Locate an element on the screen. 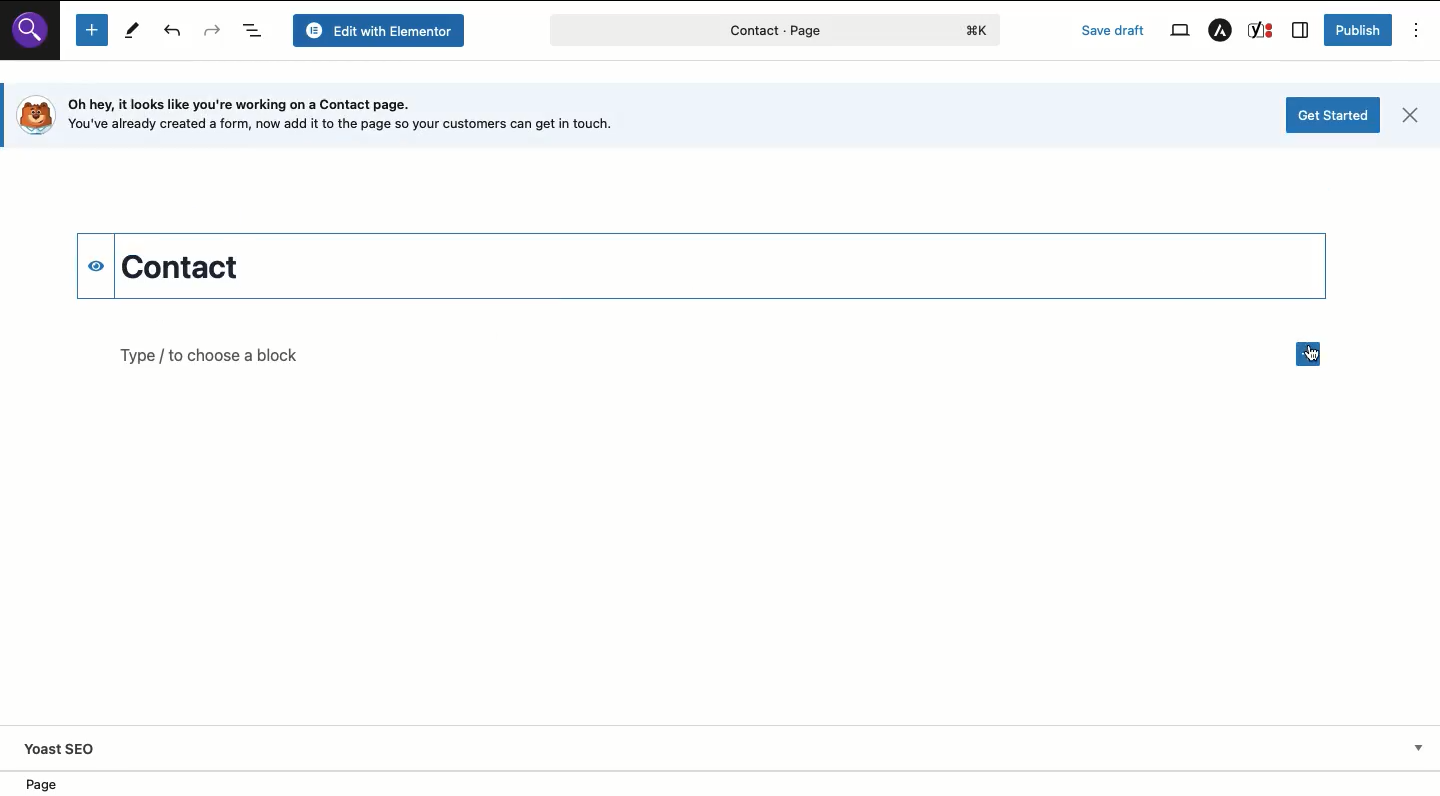  logo is located at coordinates (981, 30).